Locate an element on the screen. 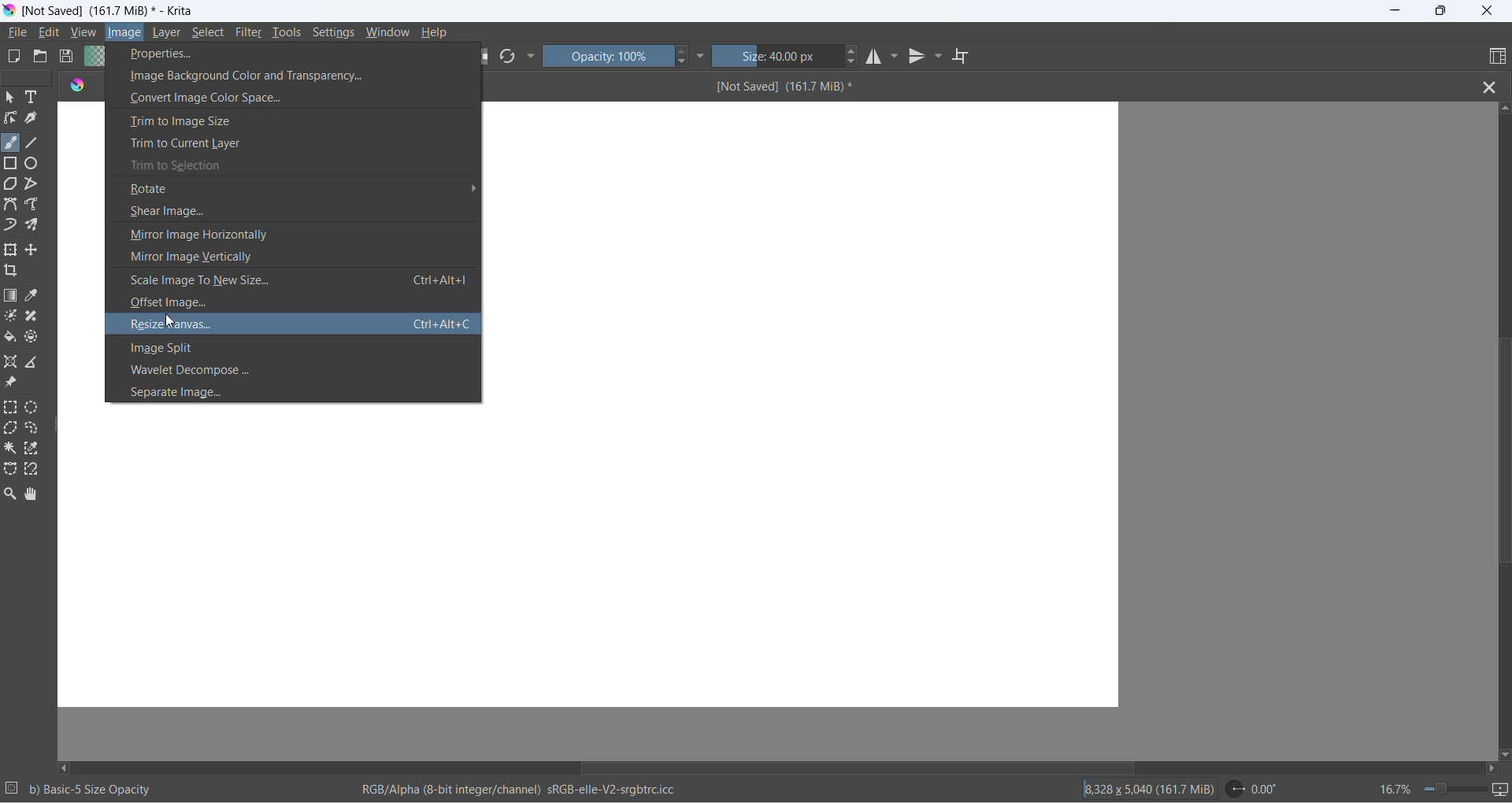  open document is located at coordinates (40, 57).